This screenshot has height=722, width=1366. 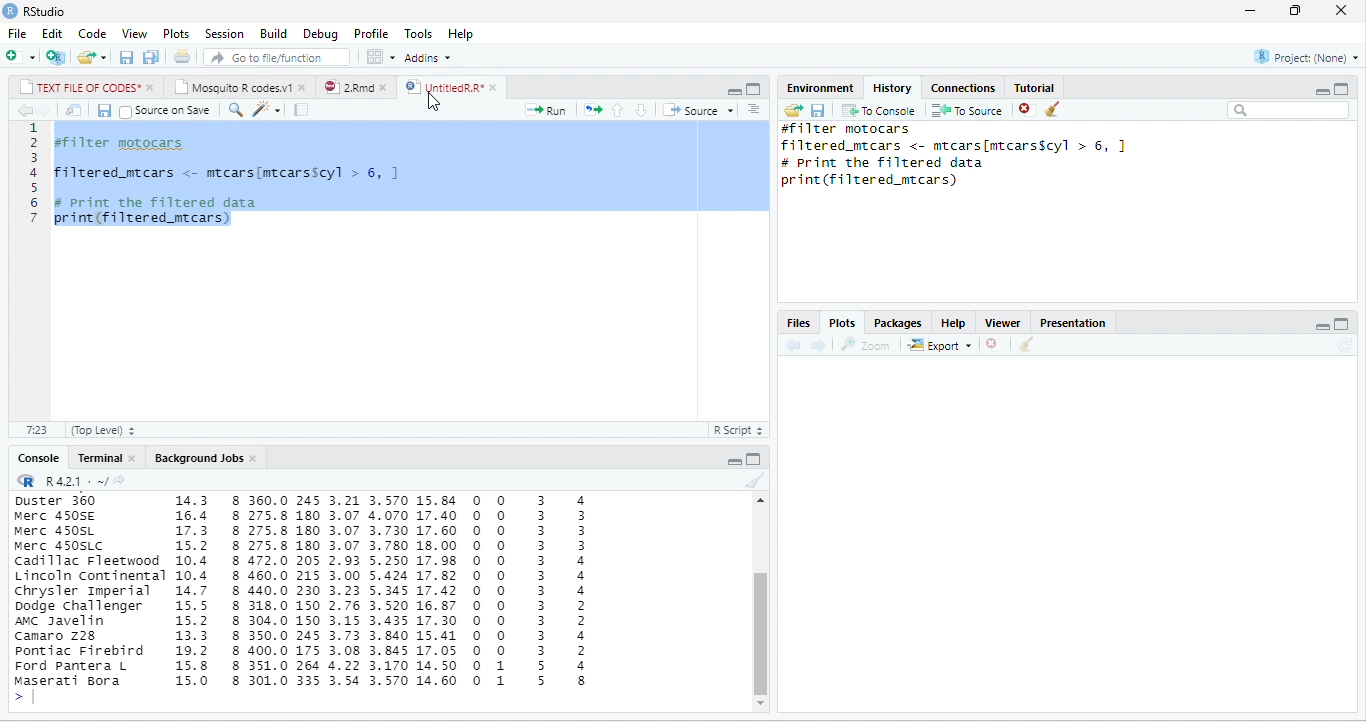 I want to click on Plots, so click(x=176, y=34).